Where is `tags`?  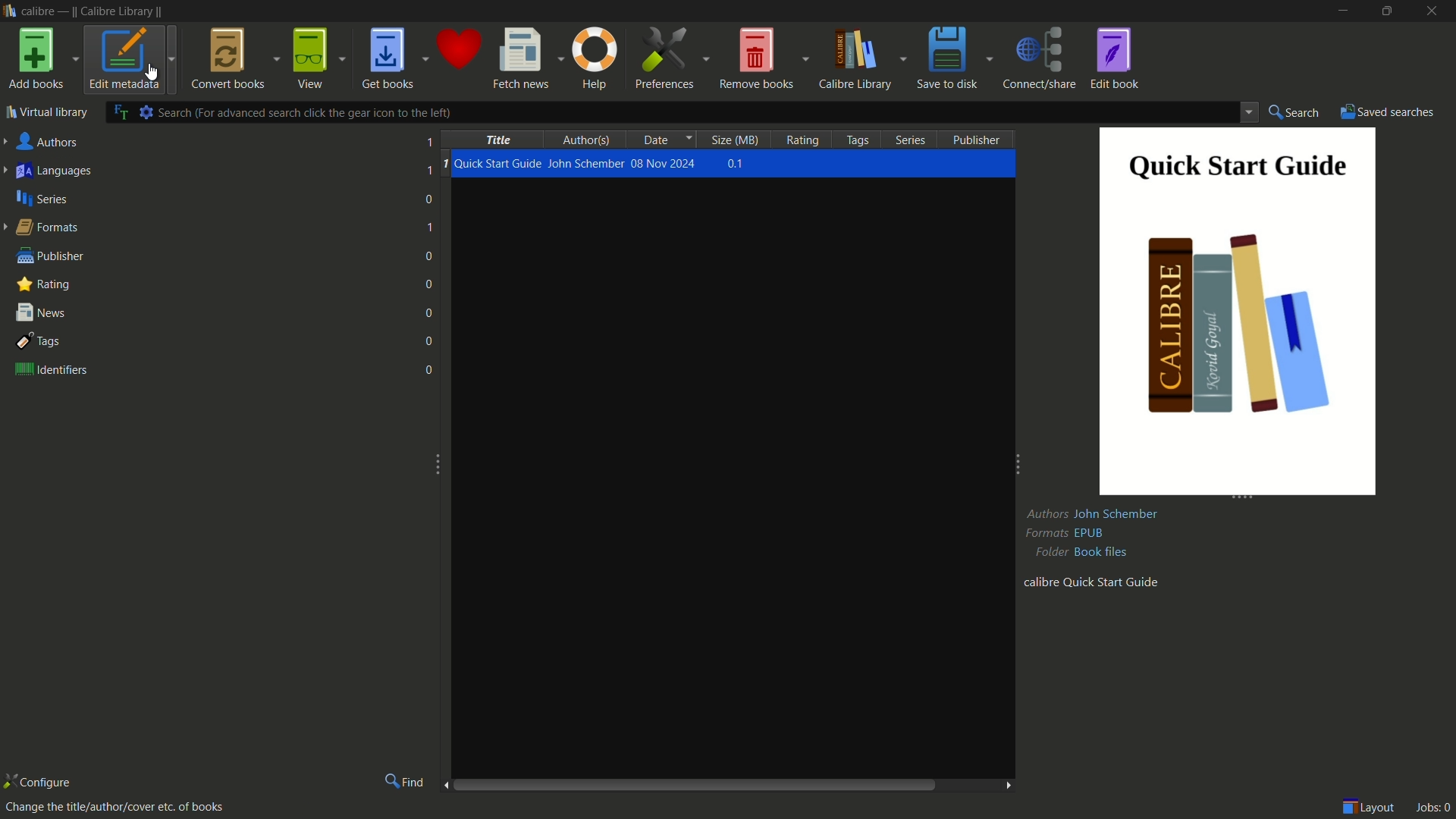
tags is located at coordinates (857, 140).